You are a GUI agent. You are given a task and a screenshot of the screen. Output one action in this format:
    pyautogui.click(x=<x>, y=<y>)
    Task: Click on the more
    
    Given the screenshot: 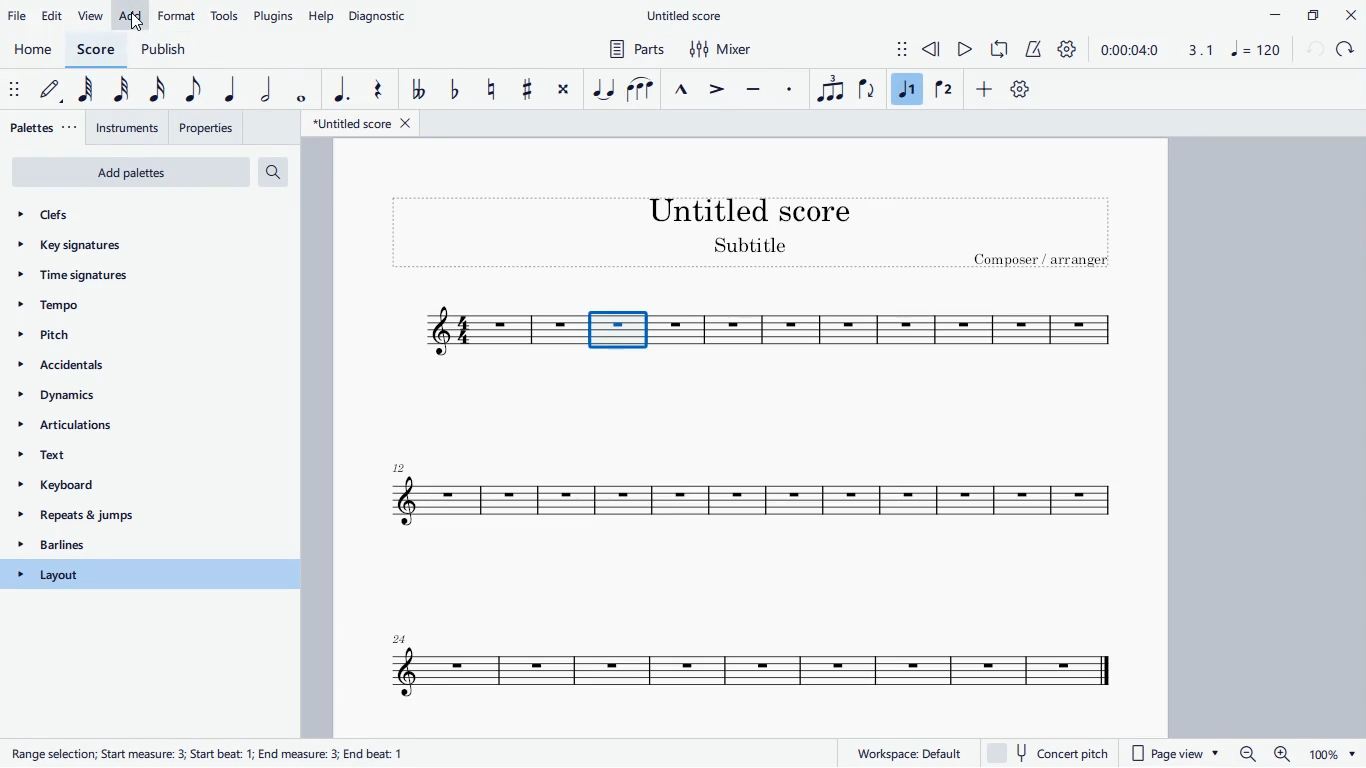 What is the action you would take?
    pyautogui.click(x=987, y=92)
    